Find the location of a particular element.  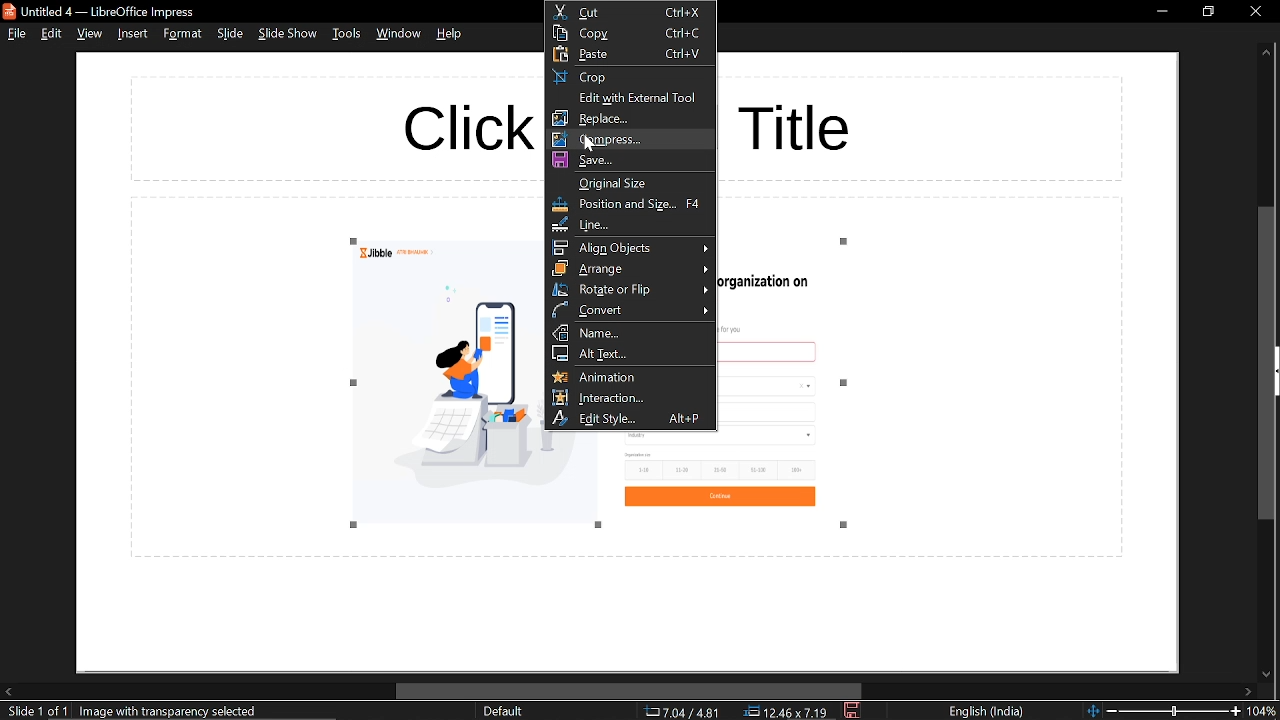

slide is located at coordinates (229, 35).